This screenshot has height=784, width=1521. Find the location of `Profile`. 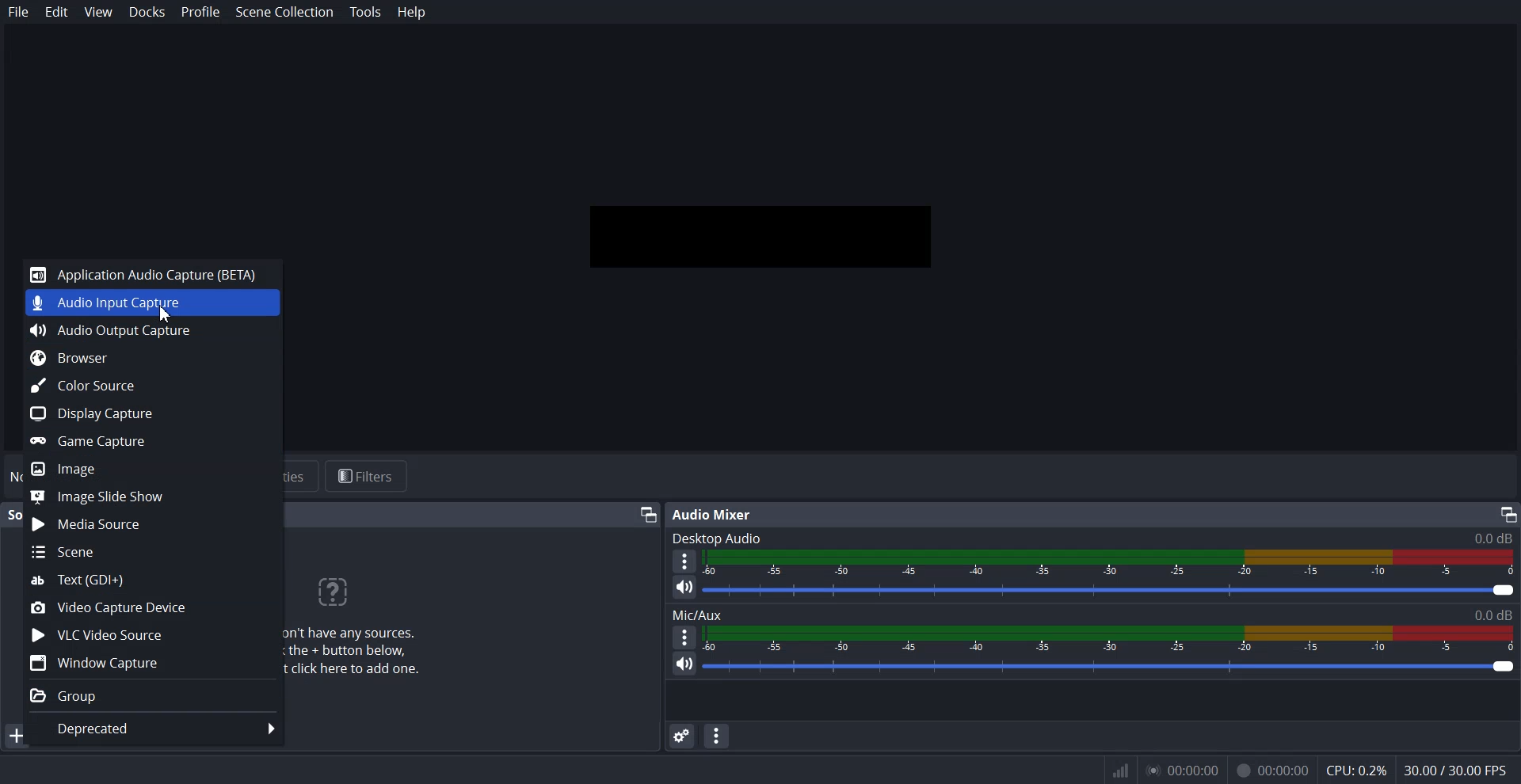

Profile is located at coordinates (200, 12).